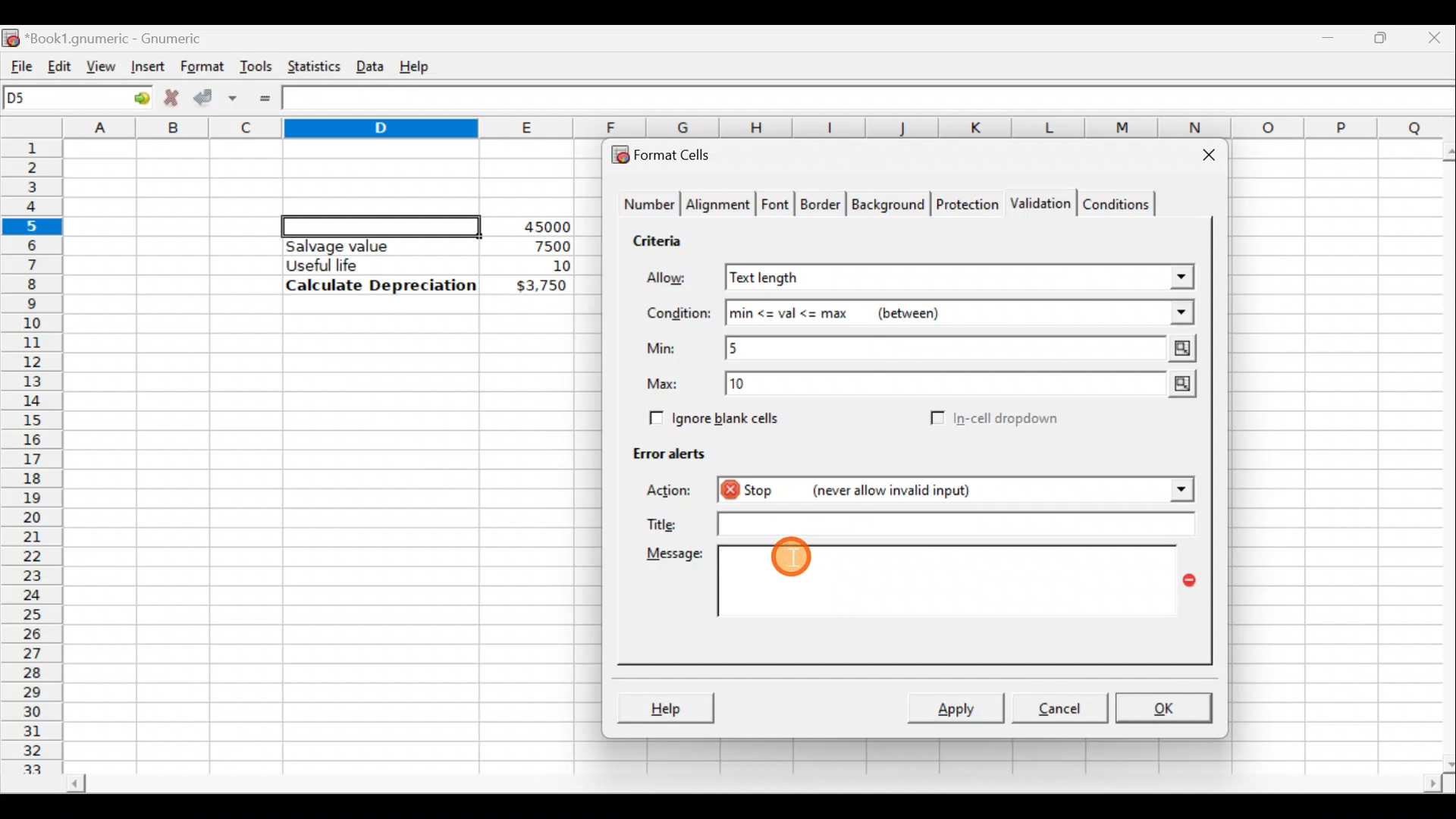 This screenshot has height=819, width=1456. Describe the element at coordinates (661, 450) in the screenshot. I see `Error alerts` at that location.